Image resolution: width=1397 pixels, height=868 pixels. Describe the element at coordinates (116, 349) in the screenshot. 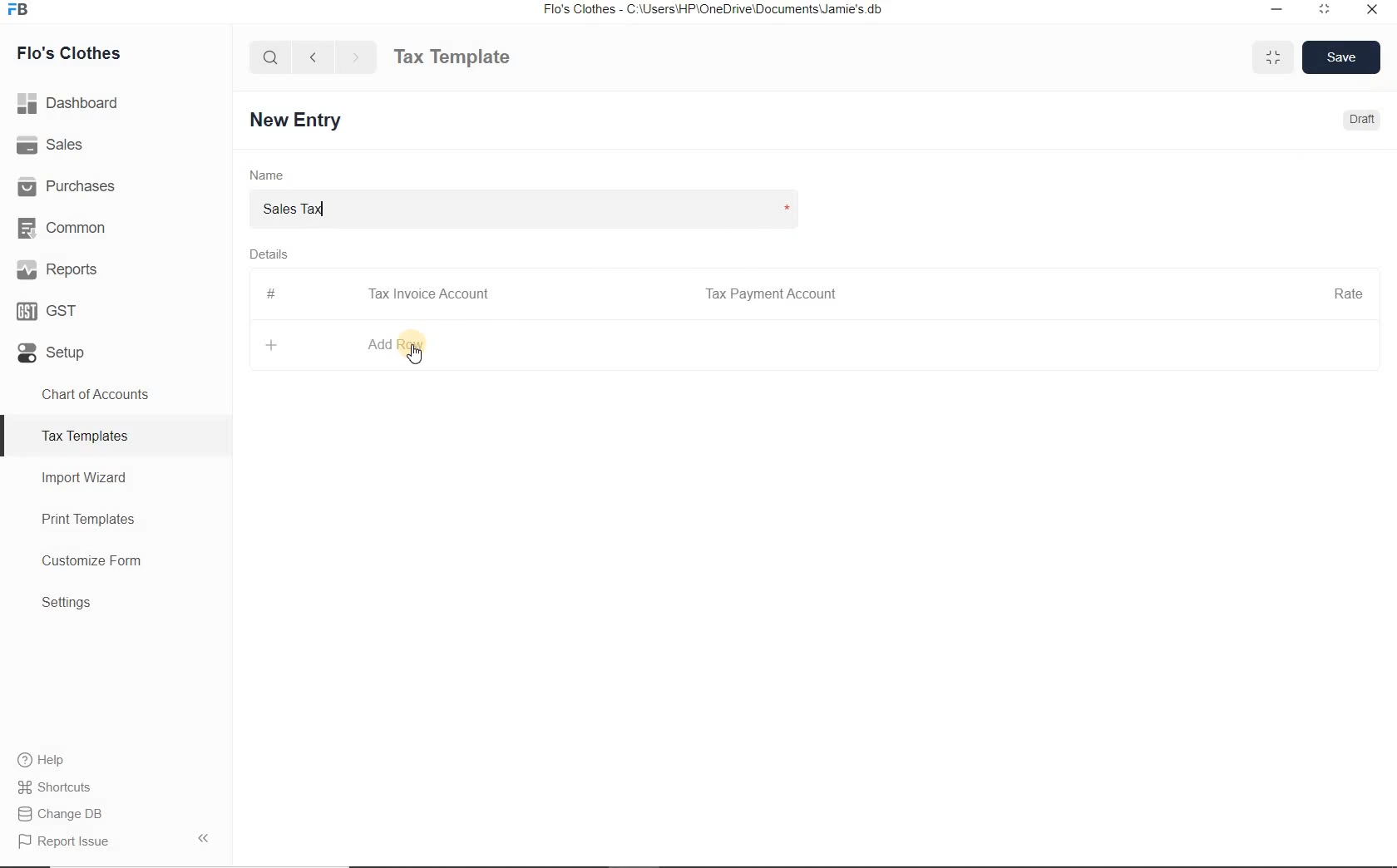

I see `Setup` at that location.